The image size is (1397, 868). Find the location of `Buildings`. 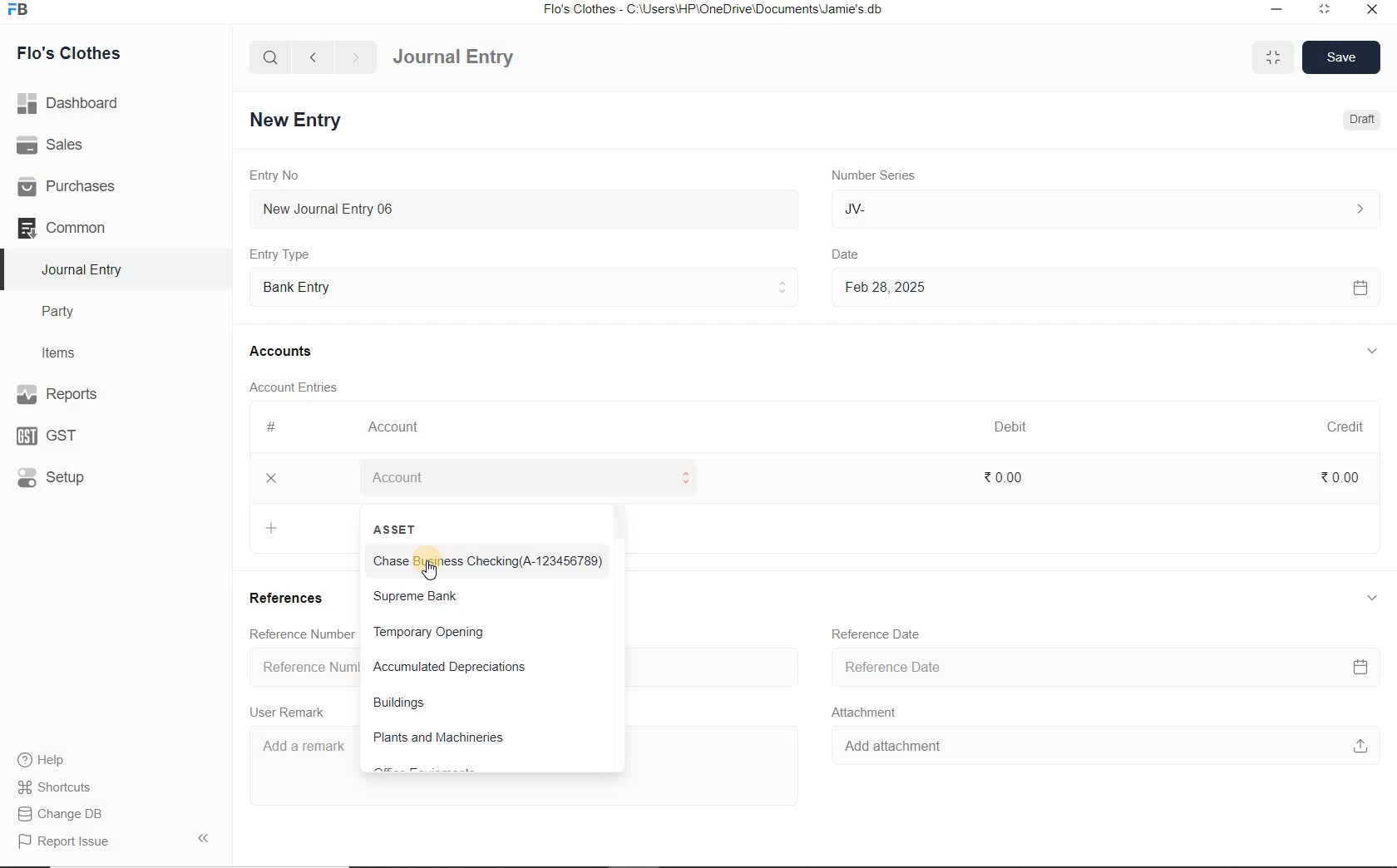

Buildings is located at coordinates (407, 703).